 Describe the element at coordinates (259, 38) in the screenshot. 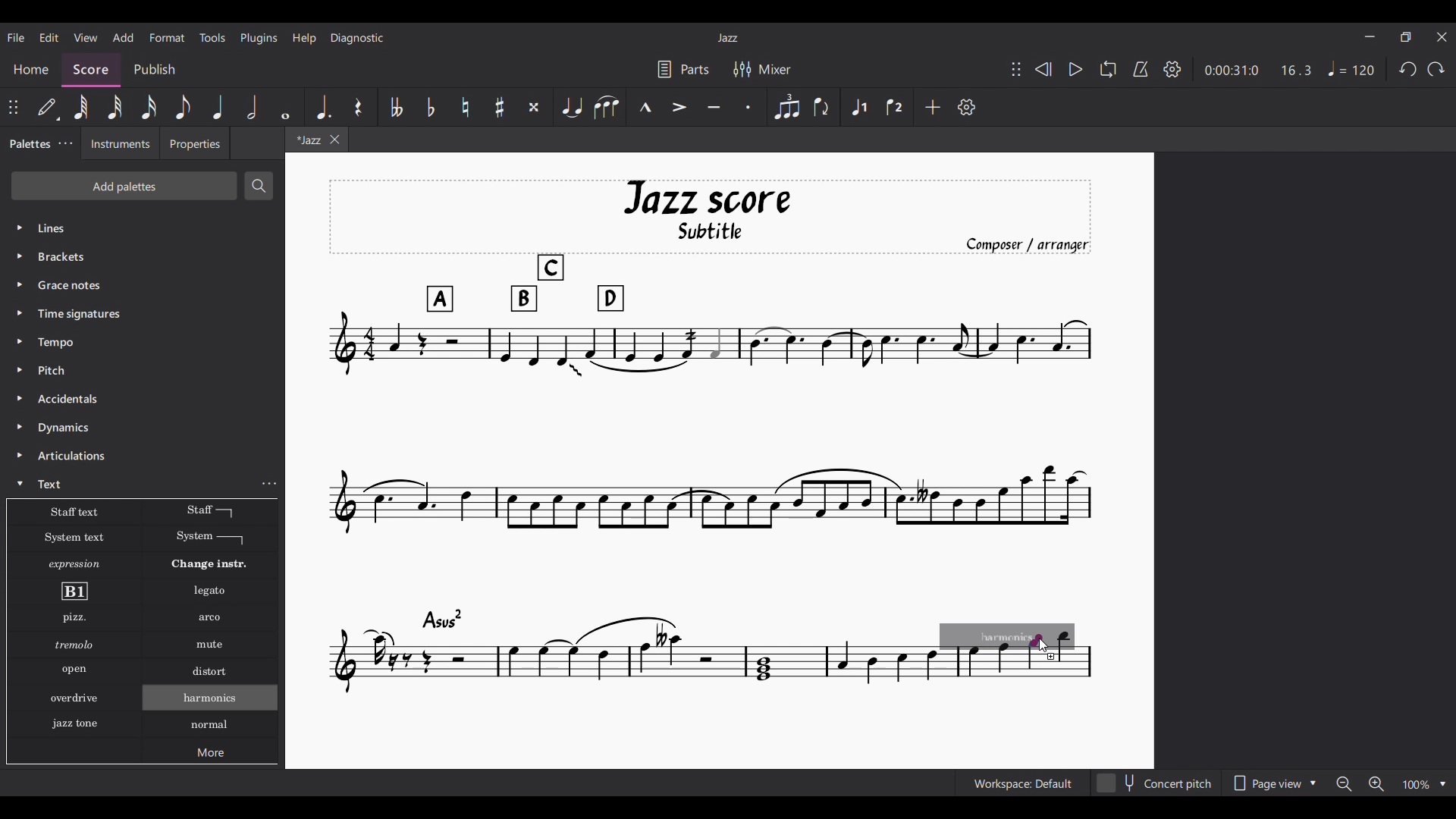

I see `Plugins menu` at that location.